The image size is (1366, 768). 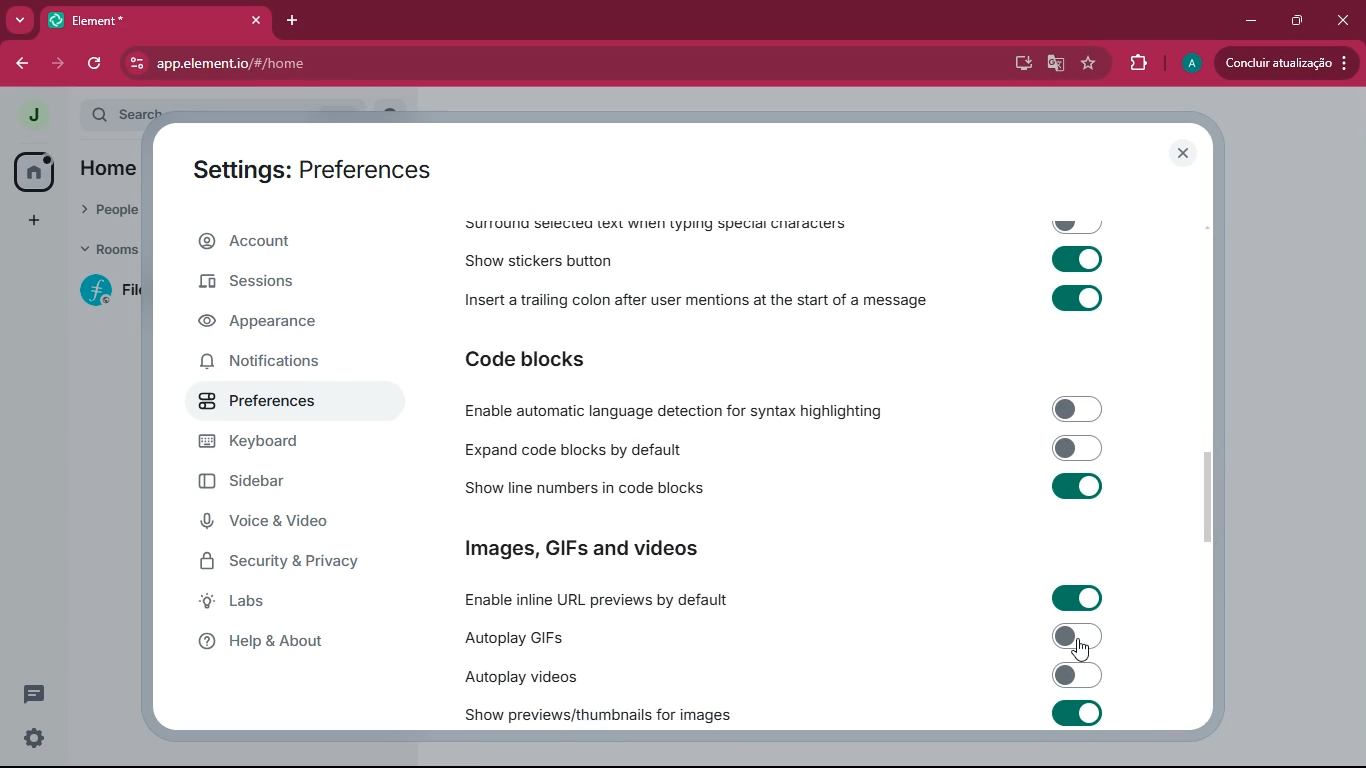 What do you see at coordinates (1287, 63) in the screenshot?
I see `conduir atualizacao` at bounding box center [1287, 63].